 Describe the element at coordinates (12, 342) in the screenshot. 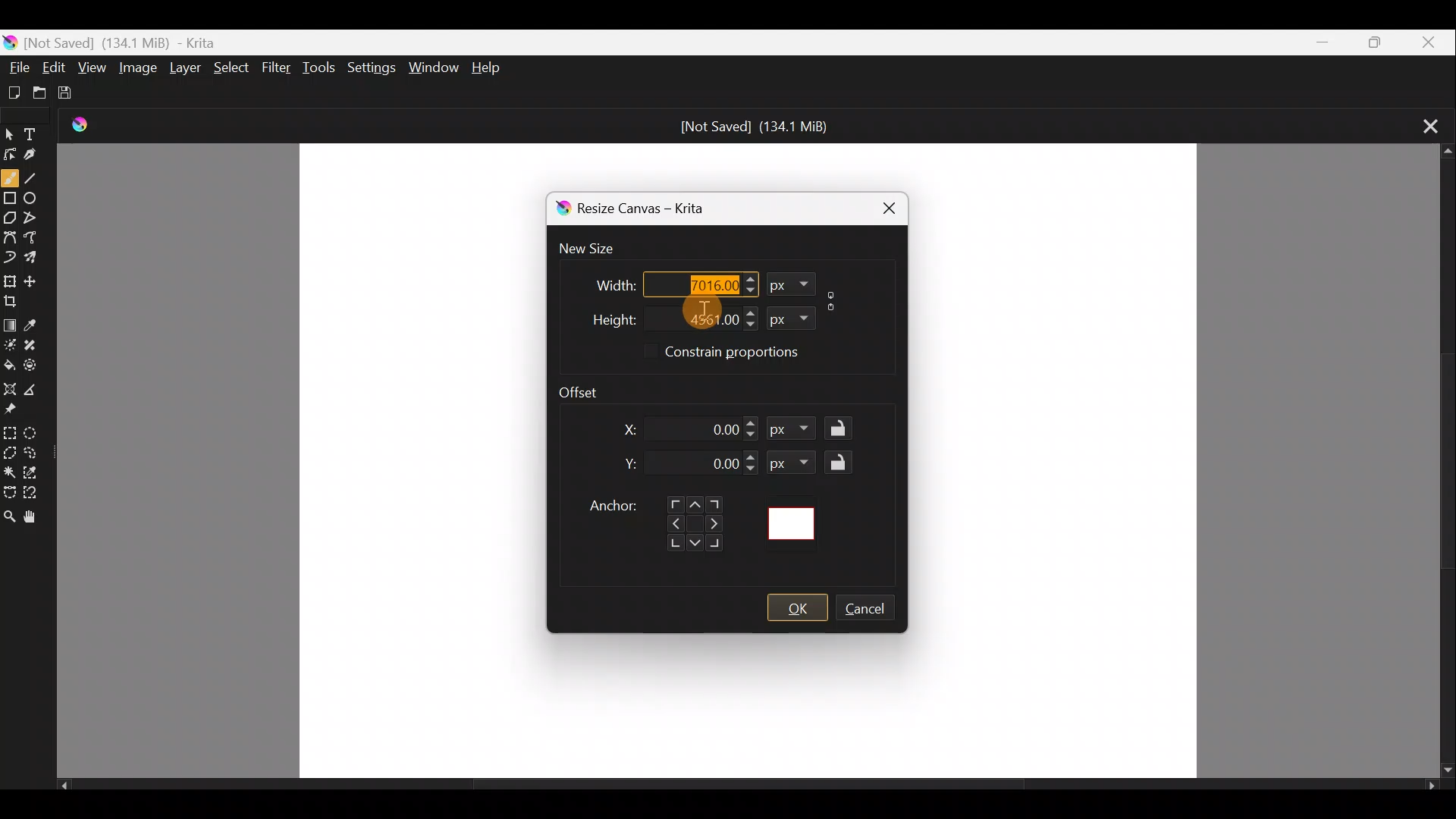

I see `Colourise mask tool` at that location.